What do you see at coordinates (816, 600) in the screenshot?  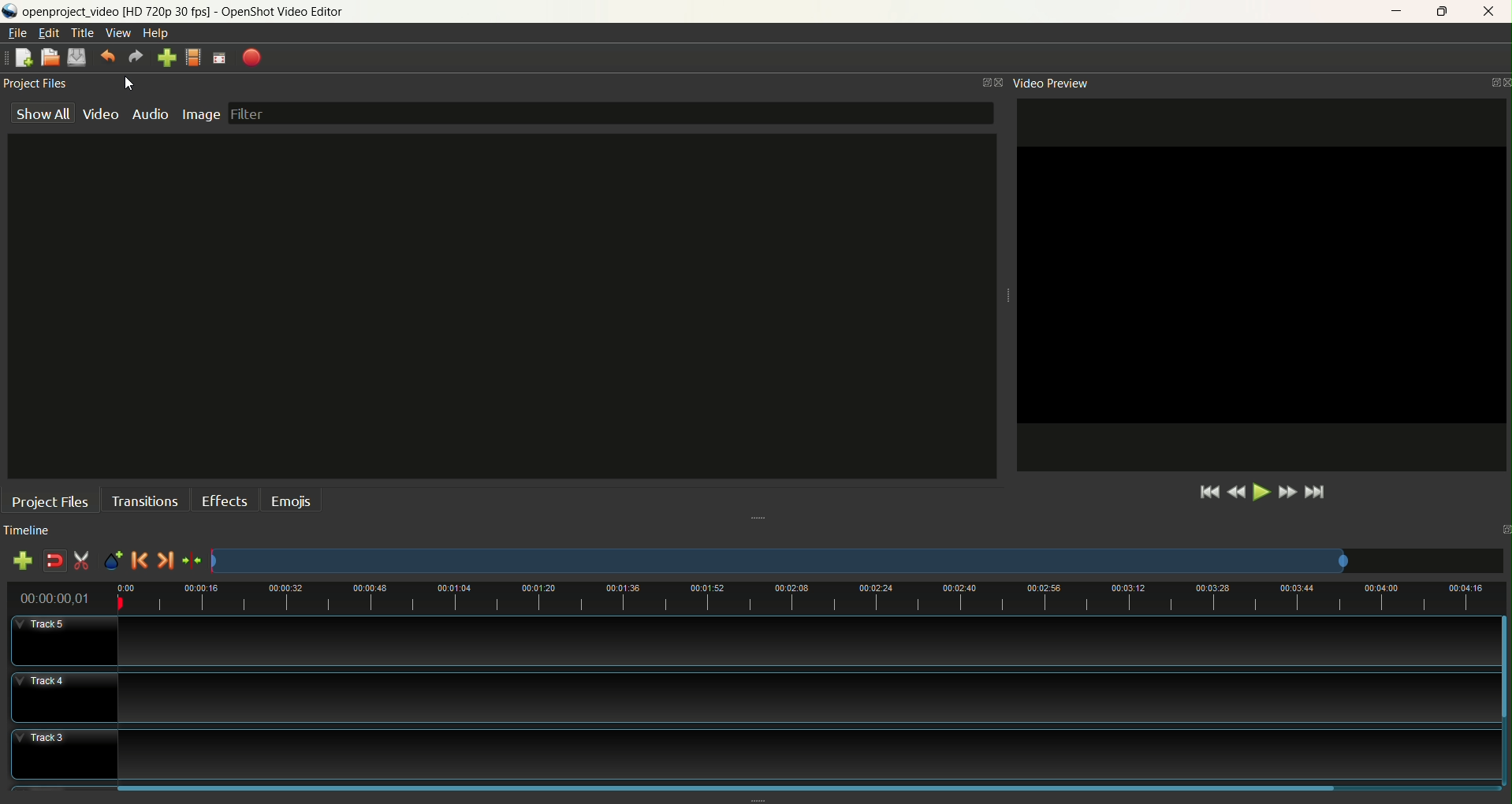 I see `zoom factor` at bounding box center [816, 600].